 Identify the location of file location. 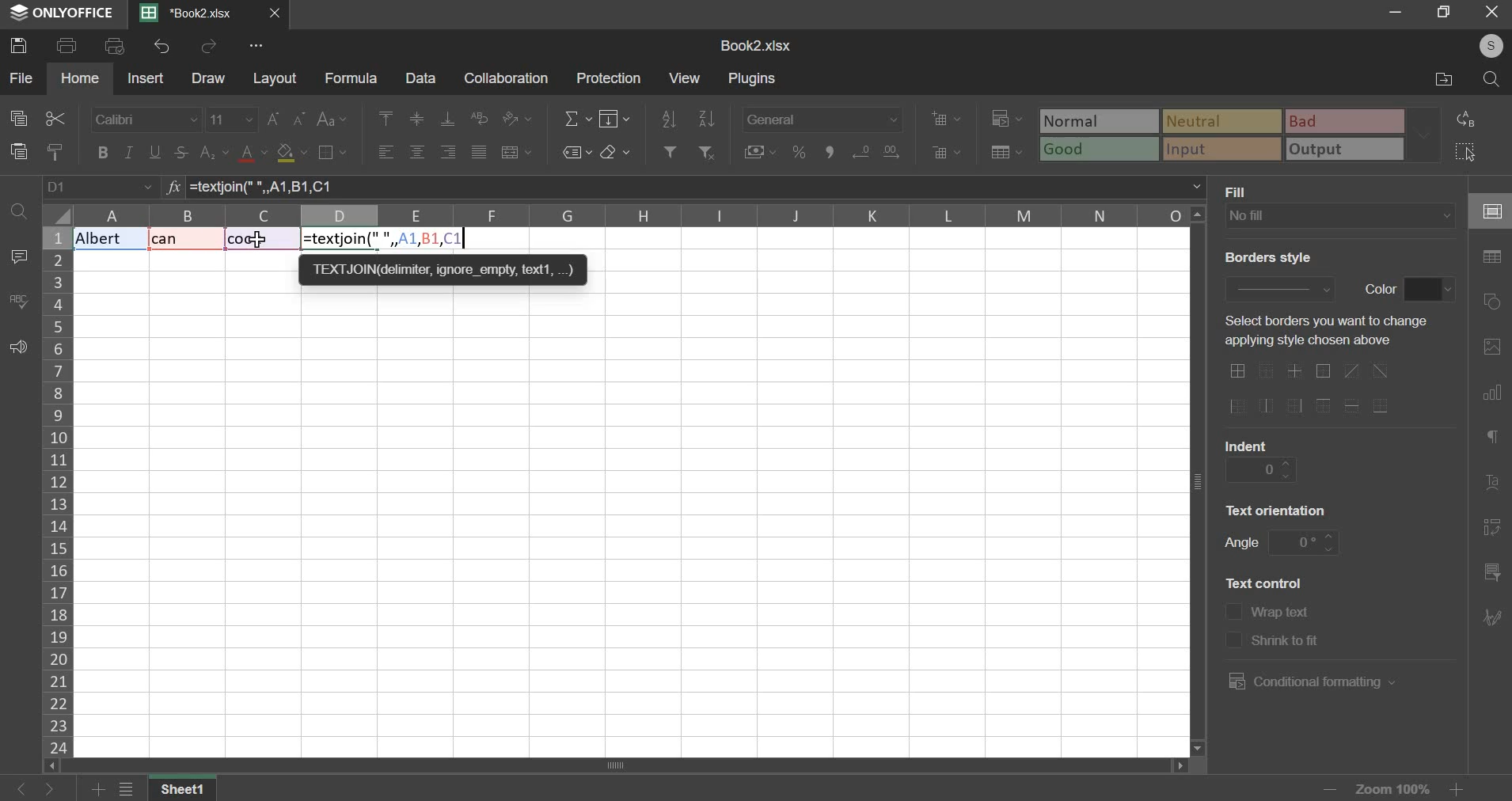
(1442, 81).